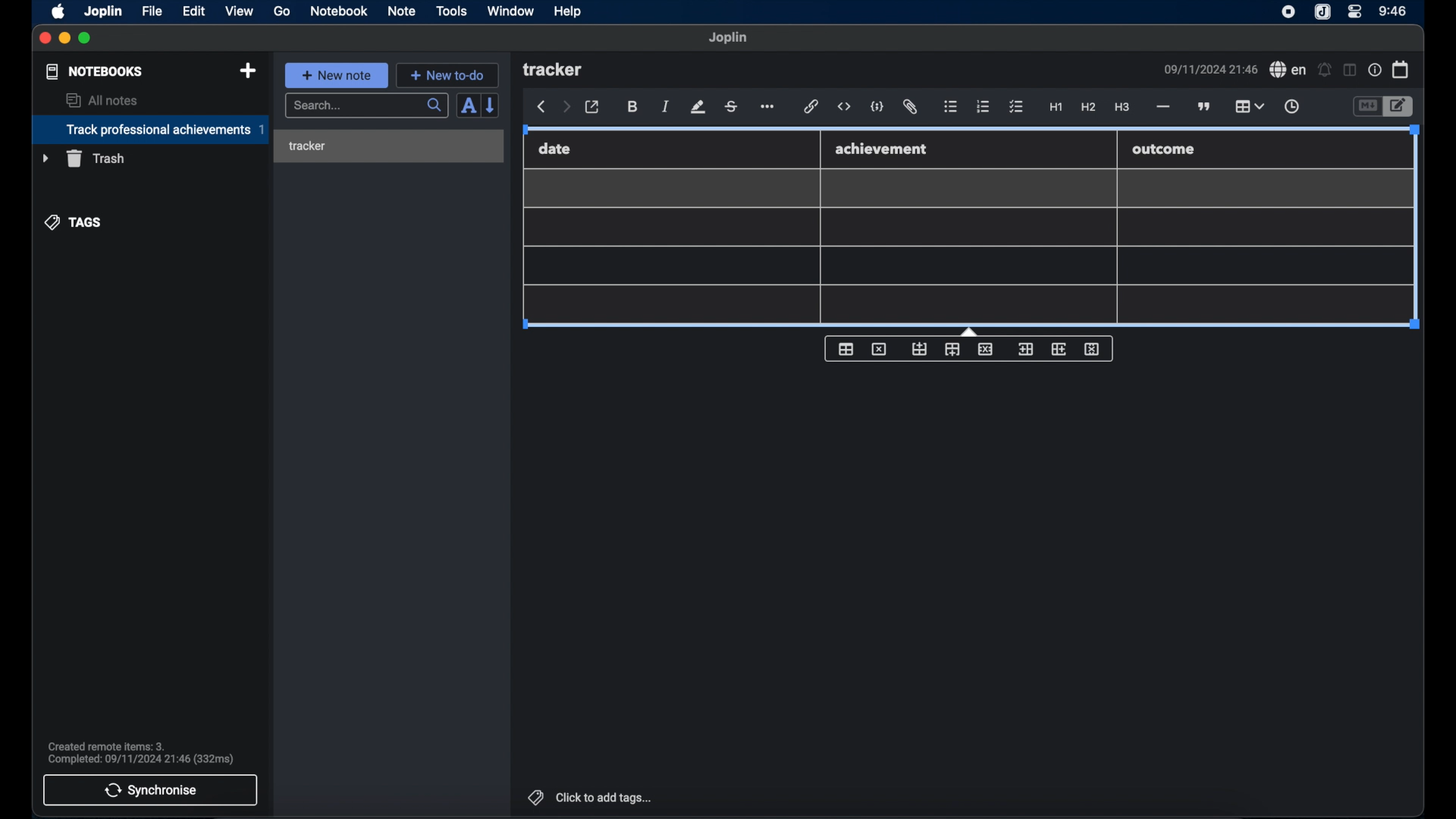 Image resolution: width=1456 pixels, height=819 pixels. What do you see at coordinates (239, 11) in the screenshot?
I see `view` at bounding box center [239, 11].